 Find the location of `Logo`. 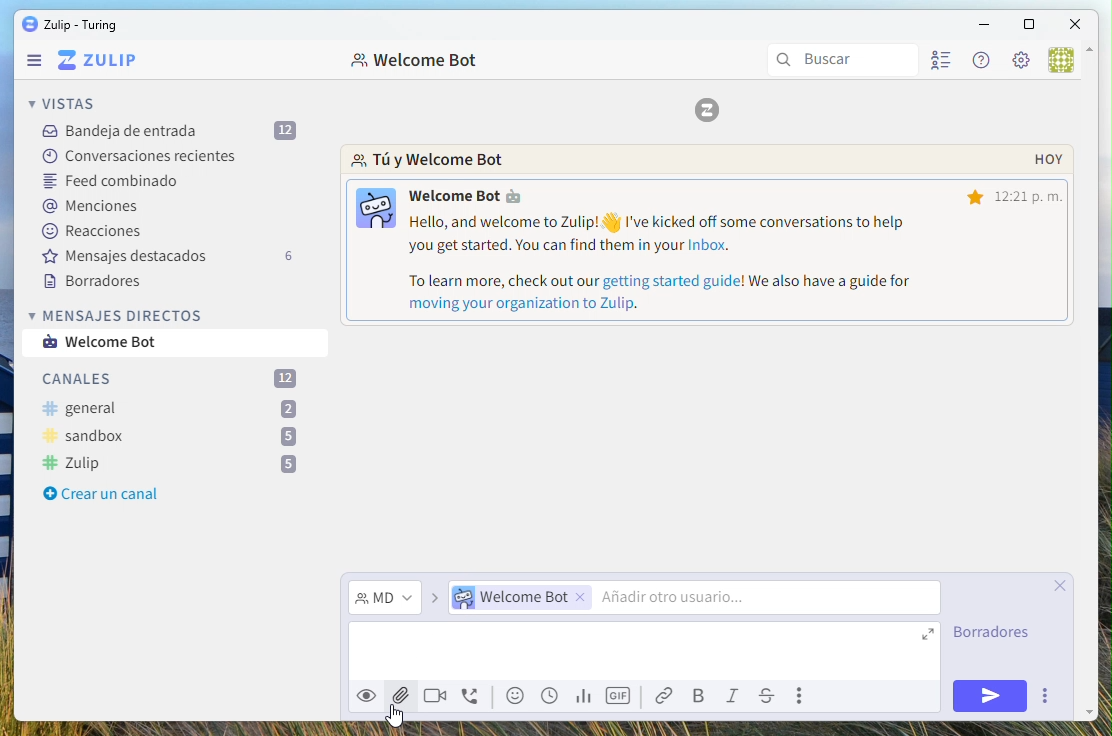

Logo is located at coordinates (708, 112).